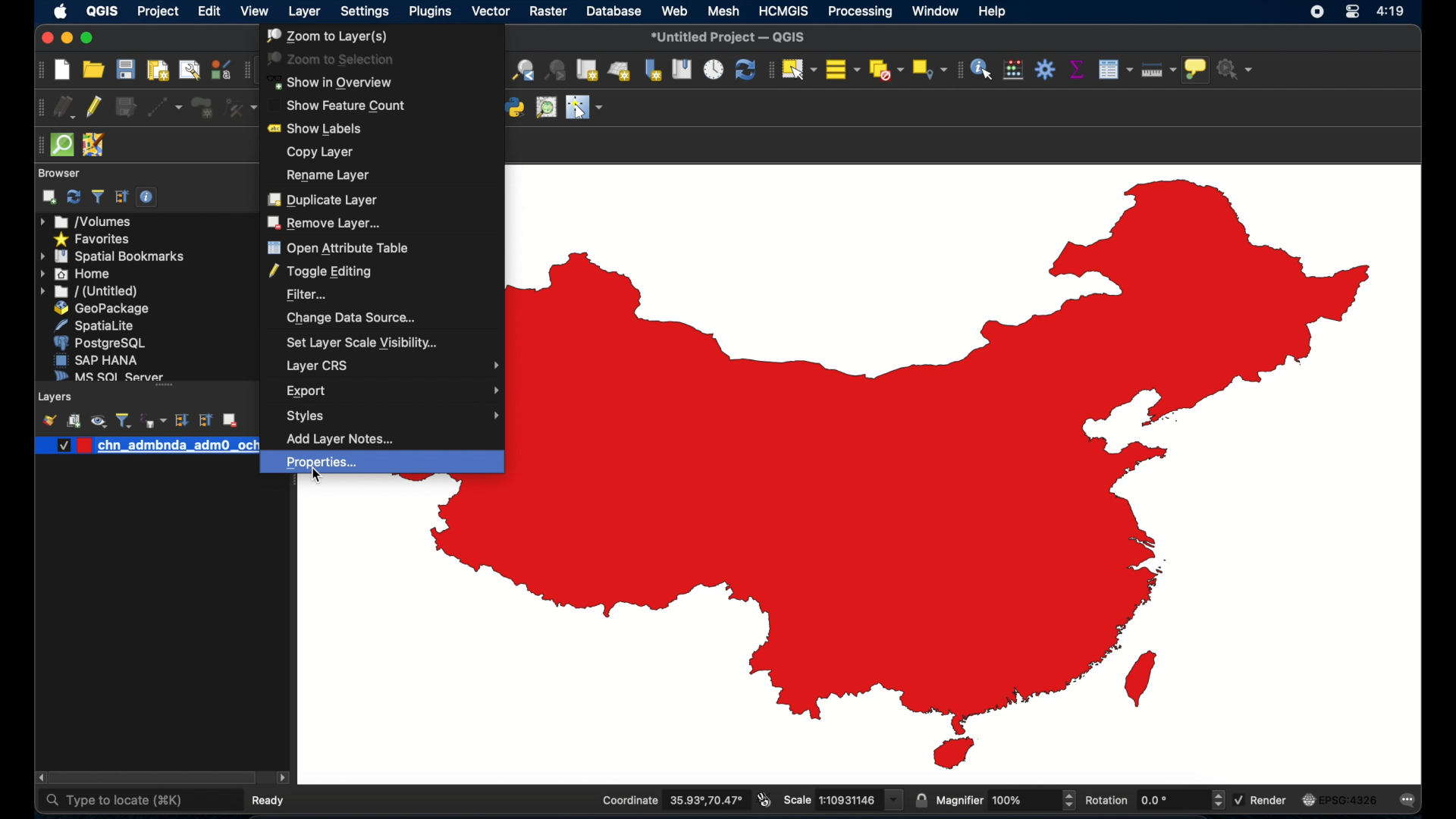  What do you see at coordinates (996, 801) in the screenshot?
I see `magnifier` at bounding box center [996, 801].